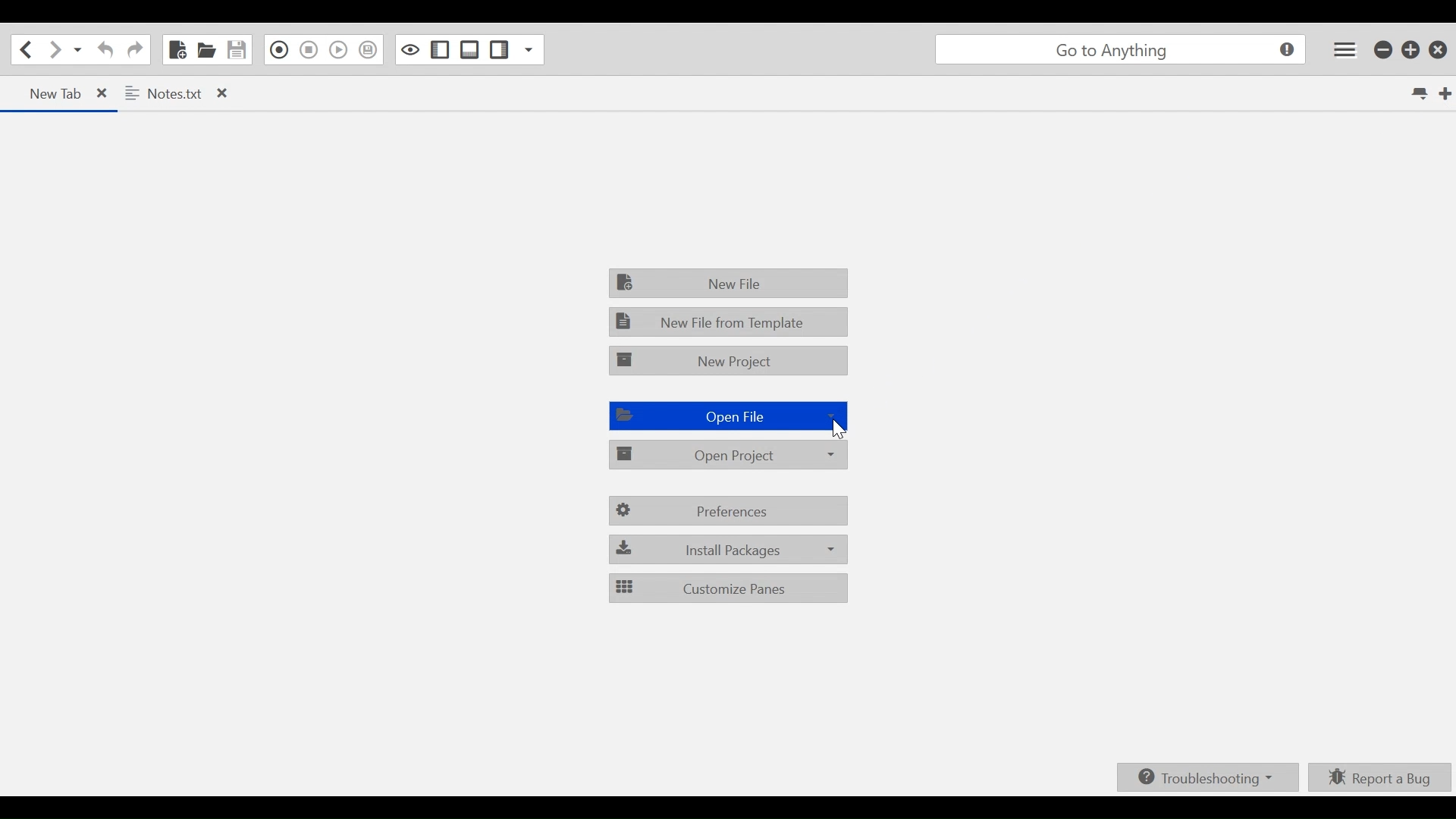 The width and height of the screenshot is (1456, 819). Describe the element at coordinates (134, 50) in the screenshot. I see `Redo last action` at that location.